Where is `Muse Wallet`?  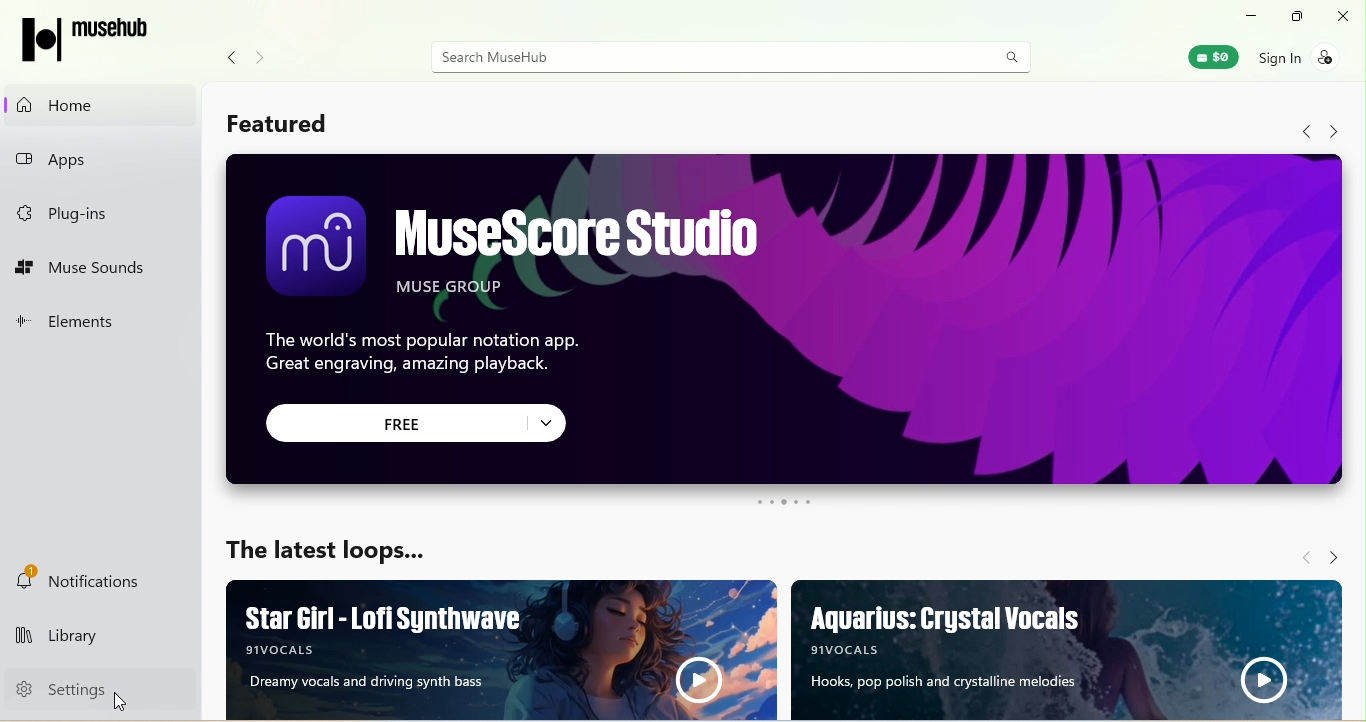 Muse Wallet is located at coordinates (1203, 56).